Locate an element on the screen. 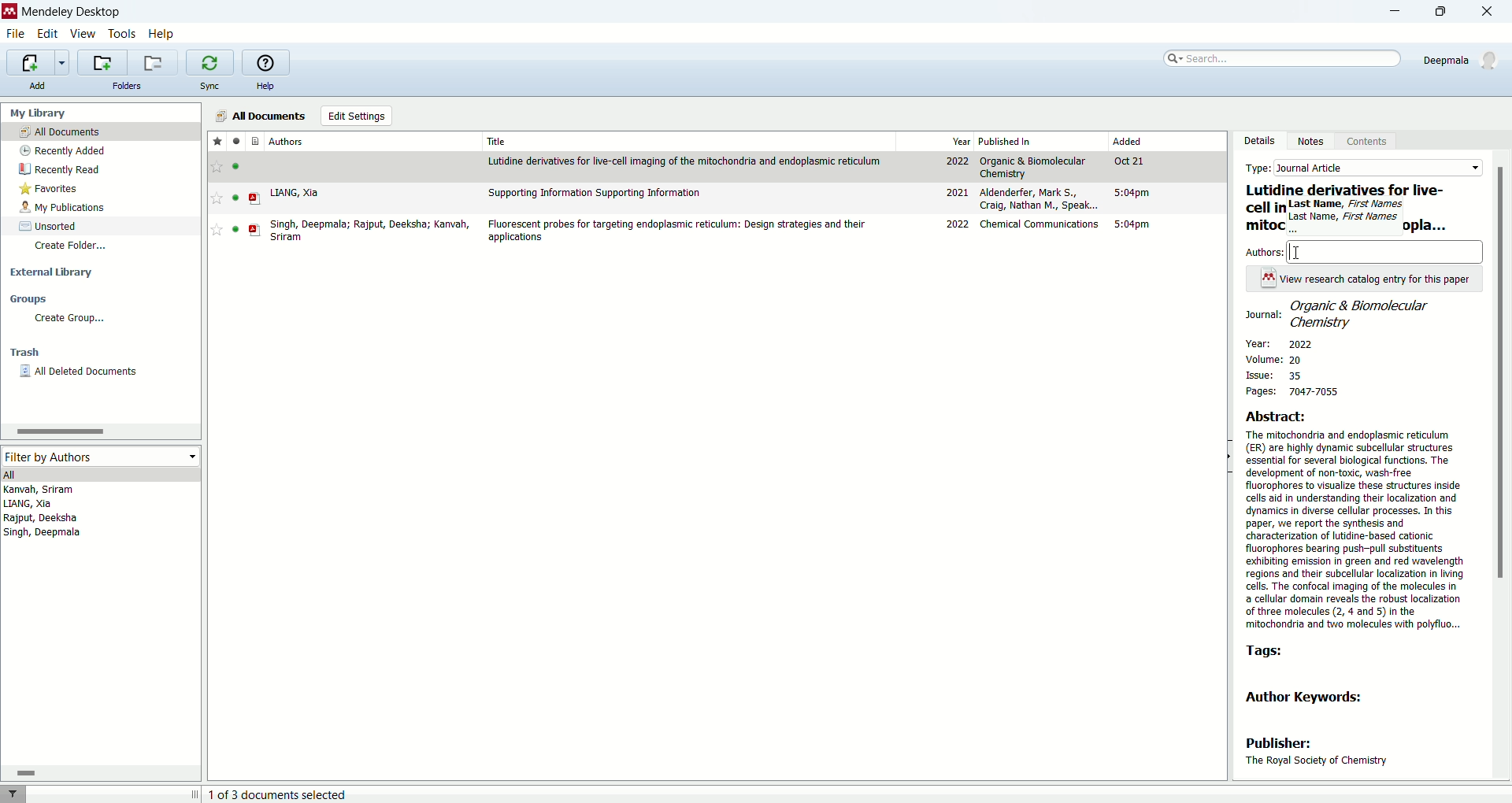  Journal article is located at coordinates (1378, 168).